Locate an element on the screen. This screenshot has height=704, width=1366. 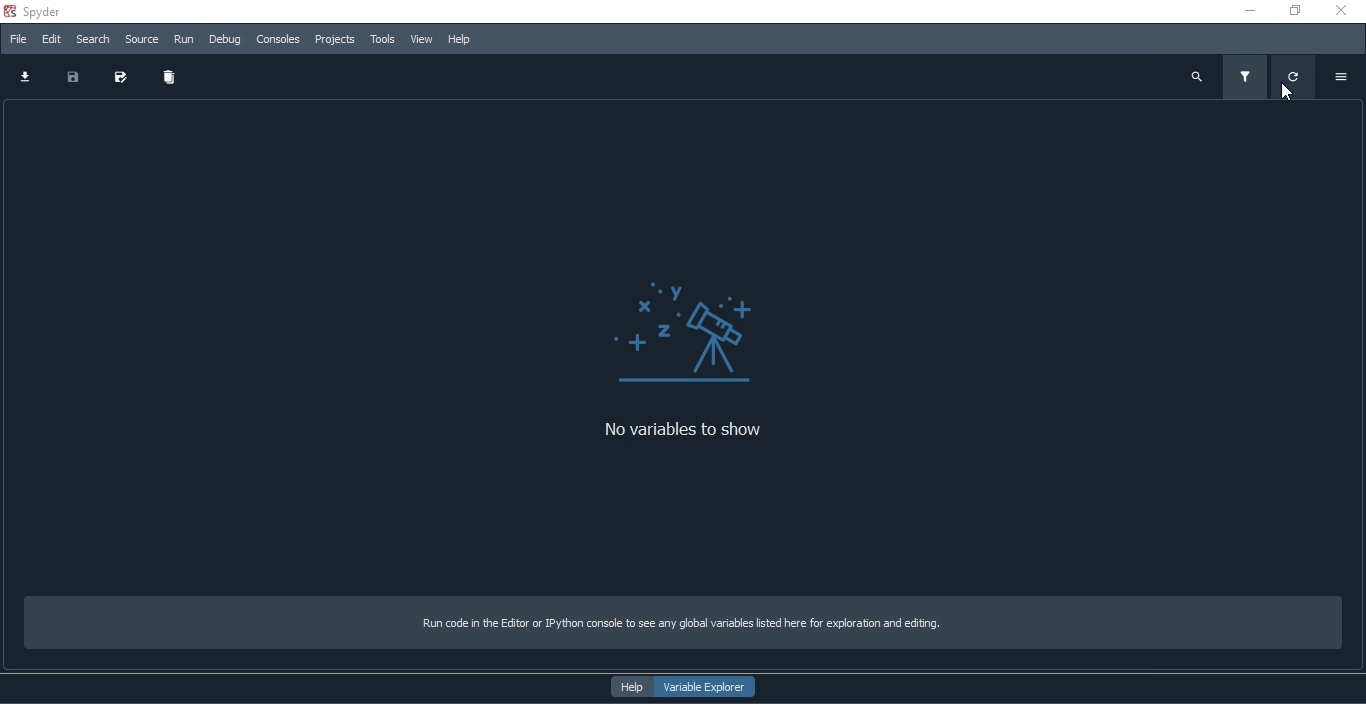
save is located at coordinates (70, 77).